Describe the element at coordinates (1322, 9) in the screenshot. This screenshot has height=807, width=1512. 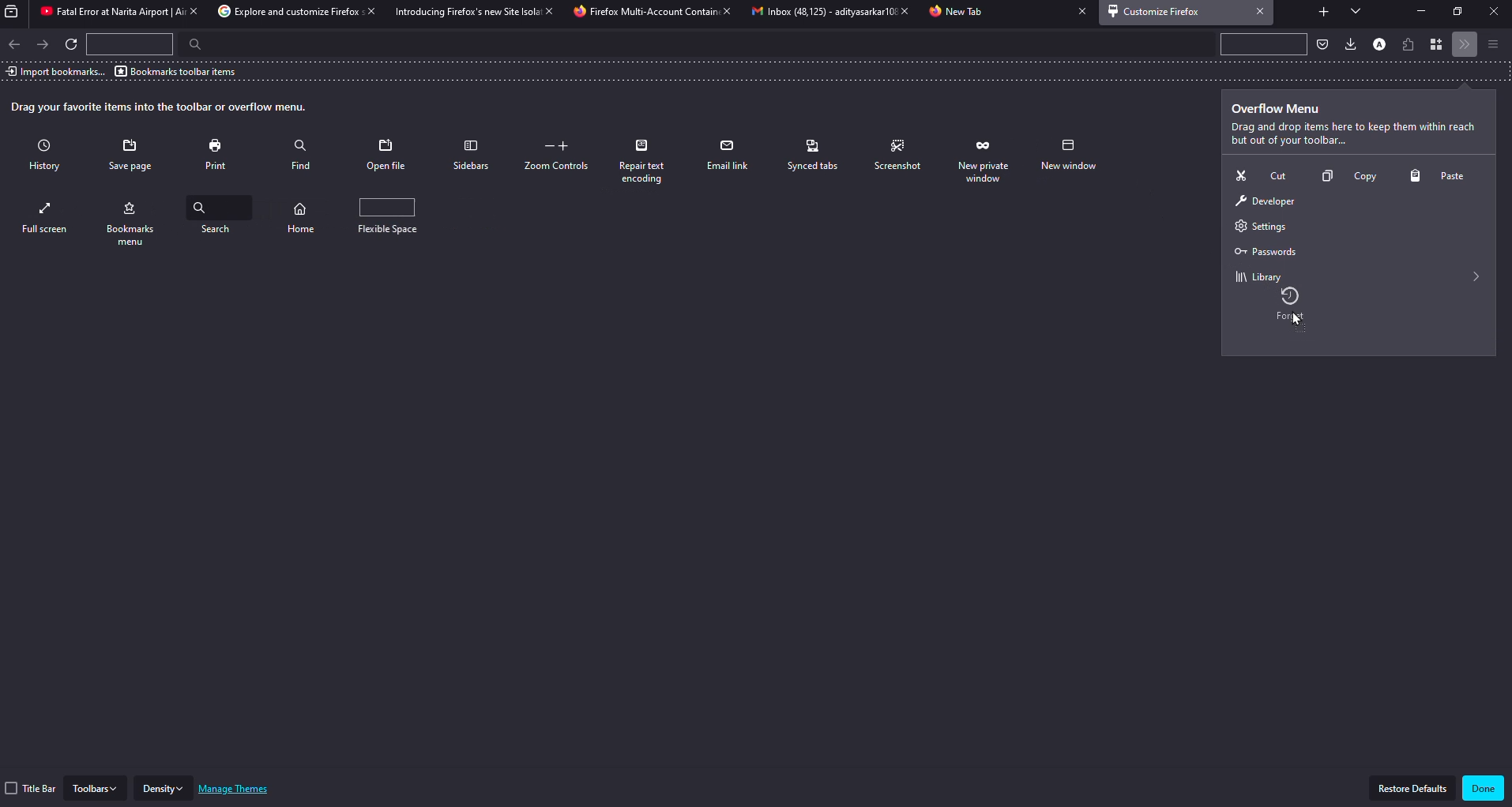
I see `add` at that location.